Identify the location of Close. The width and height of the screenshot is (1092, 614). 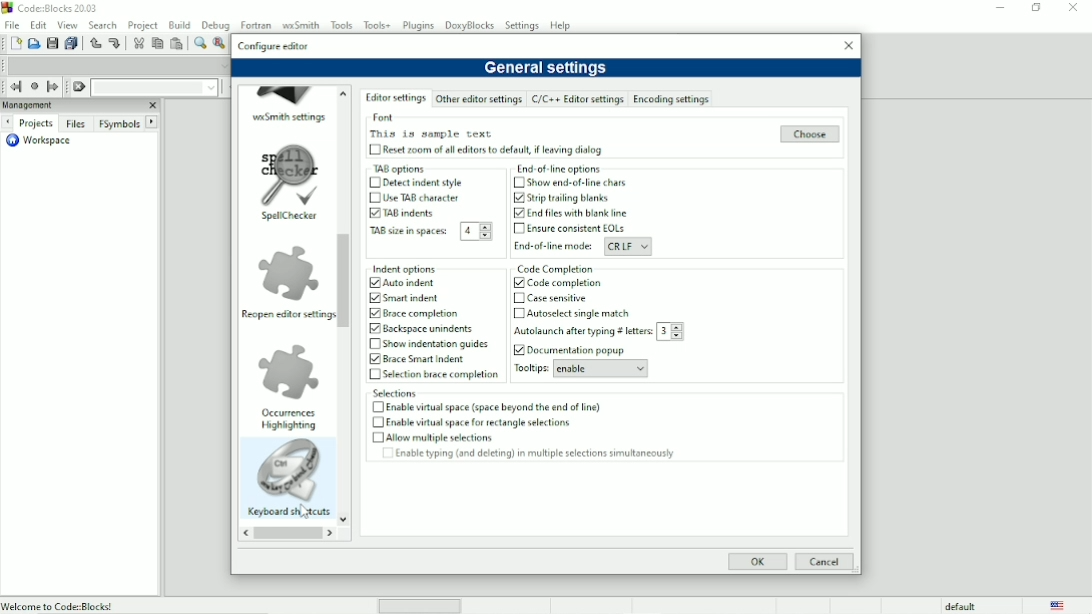
(1073, 8).